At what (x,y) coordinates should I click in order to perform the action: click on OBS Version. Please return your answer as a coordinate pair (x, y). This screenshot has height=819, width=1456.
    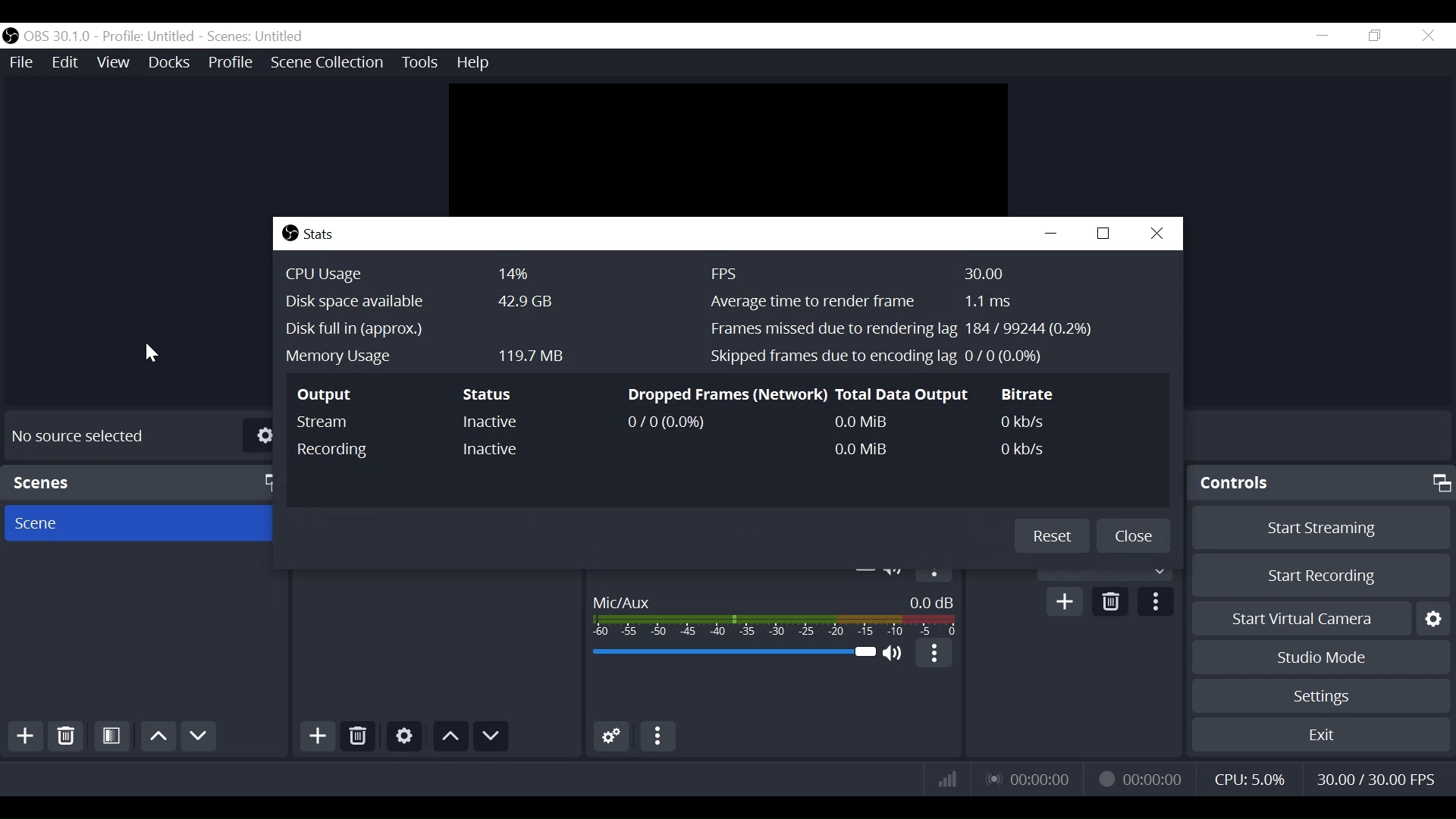
    Looking at the image, I should click on (60, 37).